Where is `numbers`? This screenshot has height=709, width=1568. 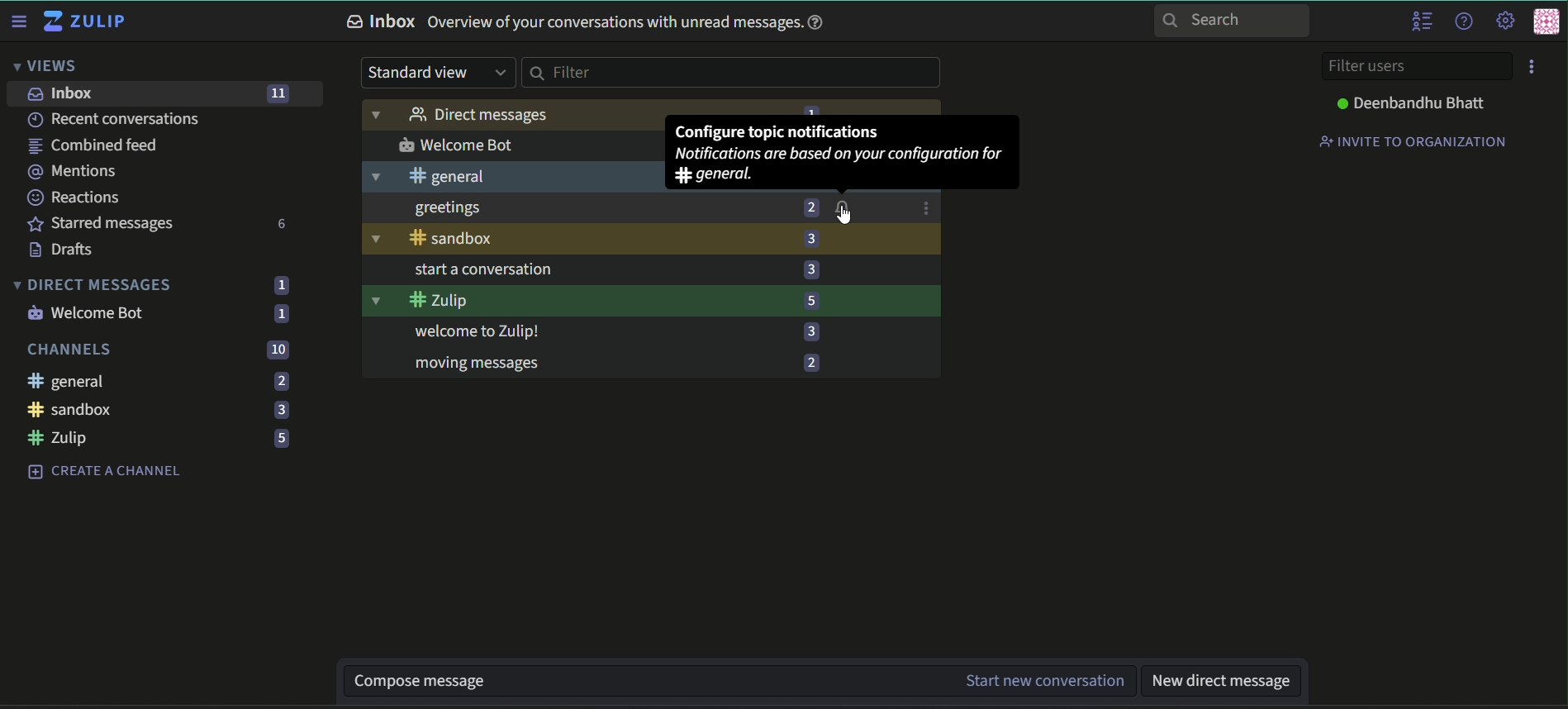
numbers is located at coordinates (284, 223).